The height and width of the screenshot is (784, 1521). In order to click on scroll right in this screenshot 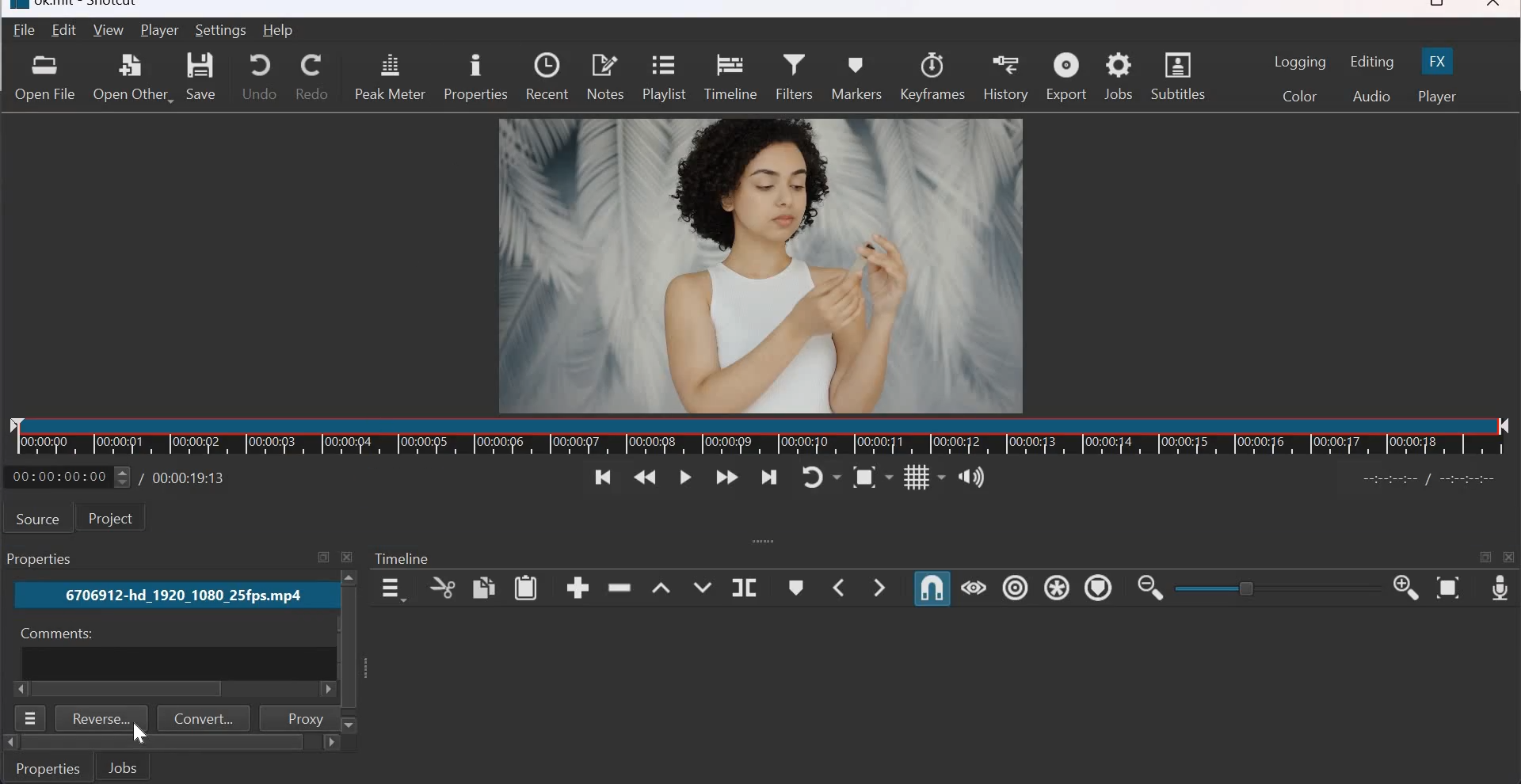, I will do `click(330, 744)`.